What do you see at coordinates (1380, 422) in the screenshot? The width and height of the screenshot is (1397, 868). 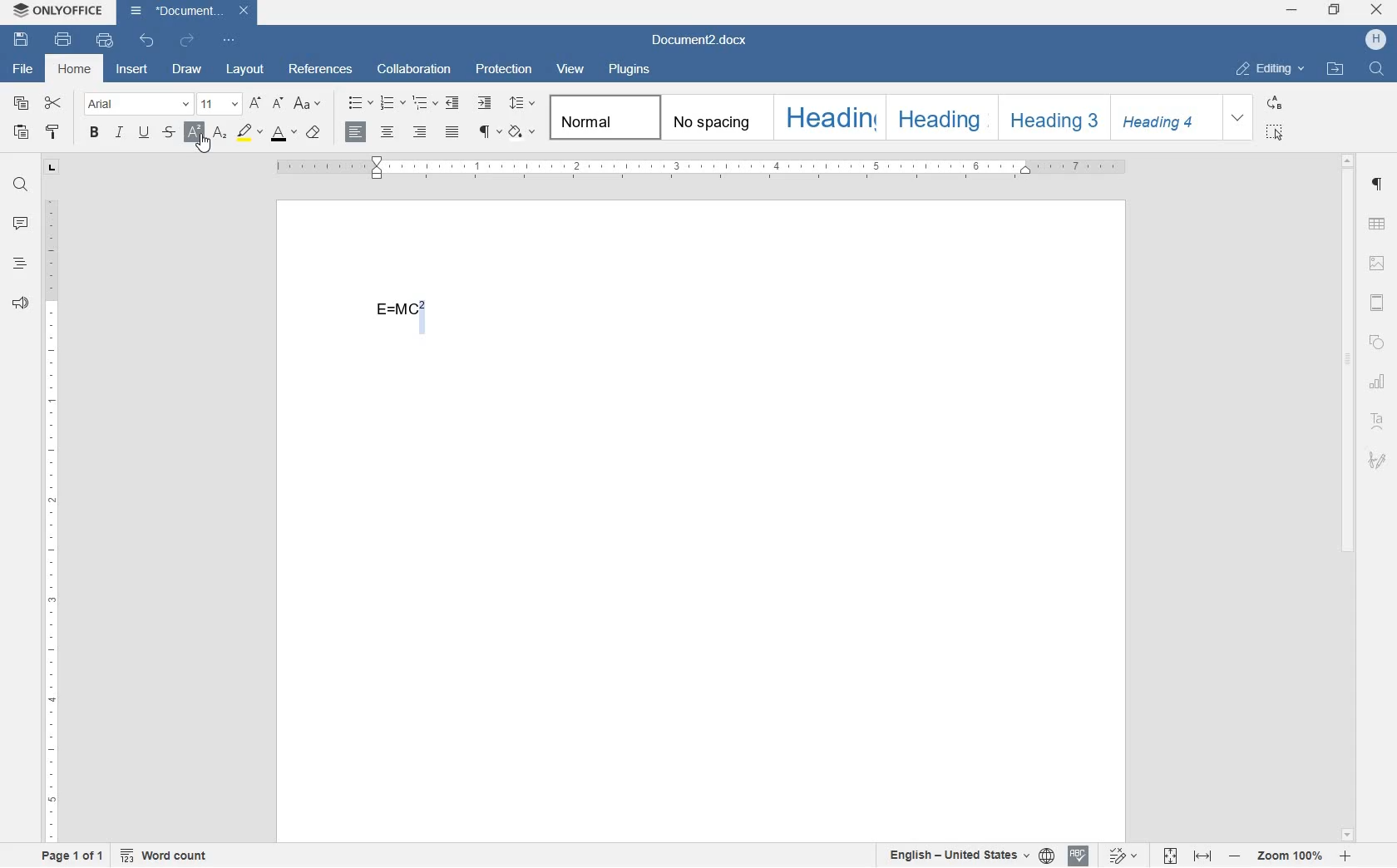 I see `text art` at bounding box center [1380, 422].